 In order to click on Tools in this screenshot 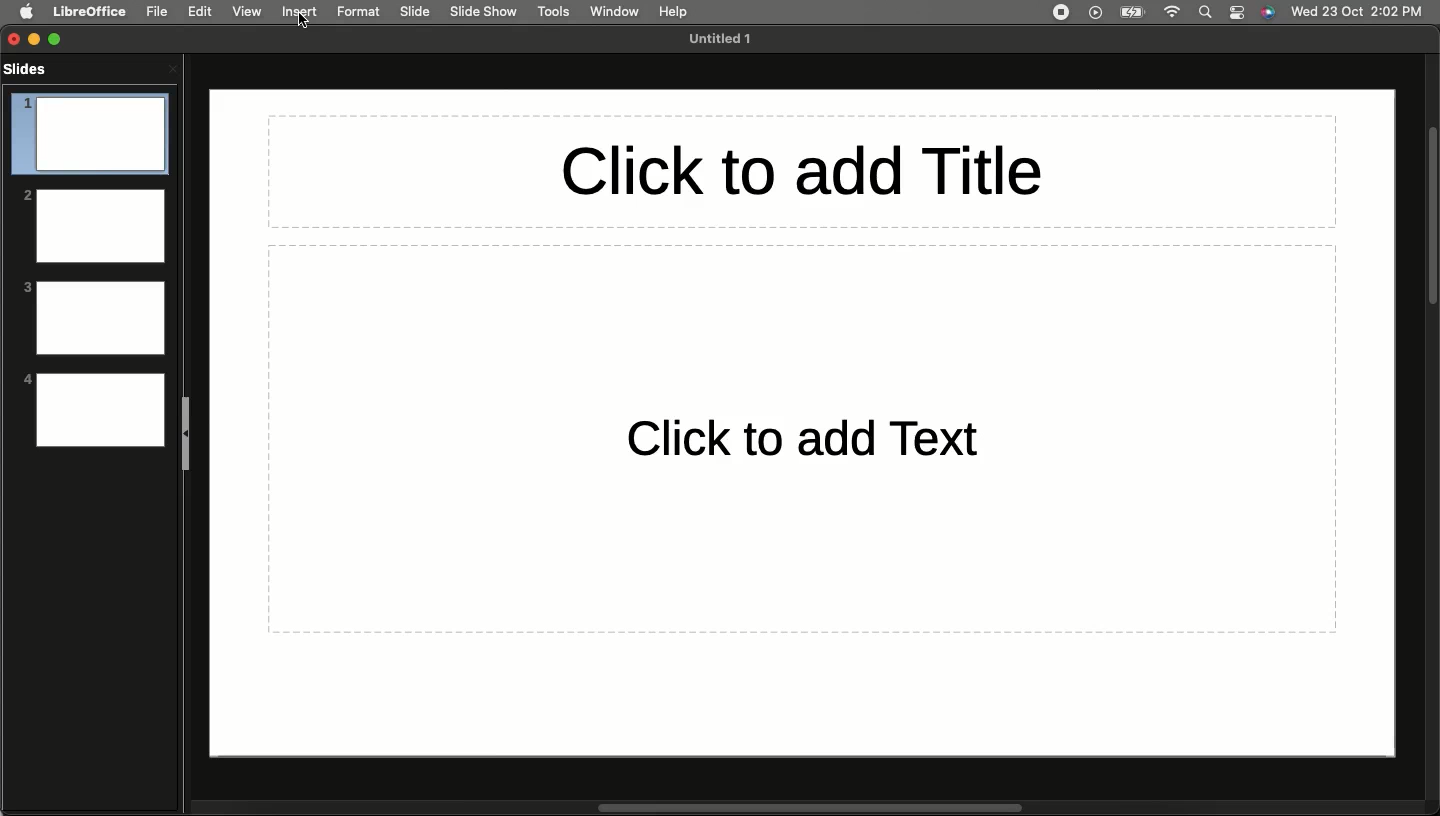, I will do `click(553, 12)`.